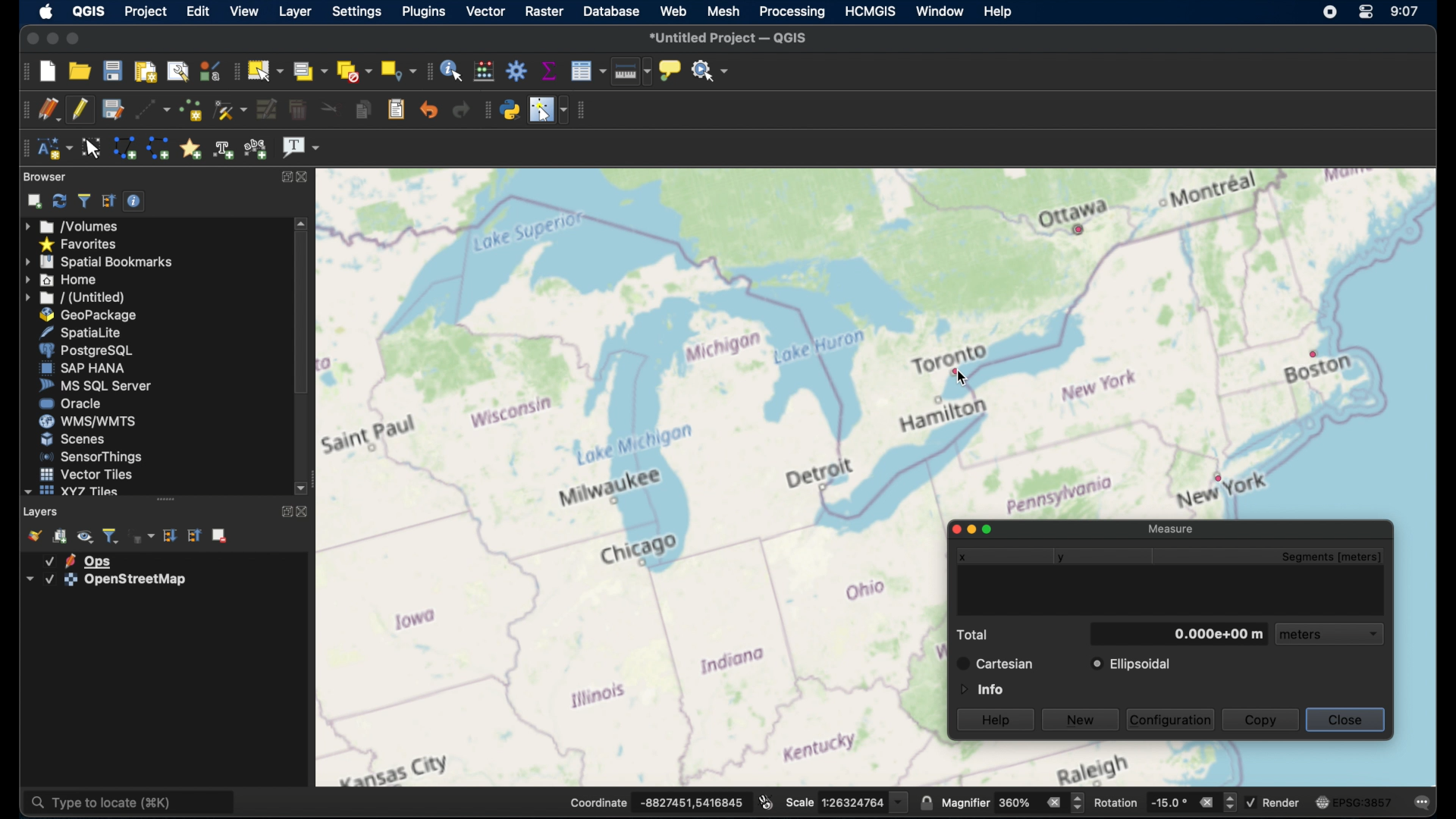 The image size is (1456, 819). Describe the element at coordinates (1364, 13) in the screenshot. I see `control center macOS` at that location.